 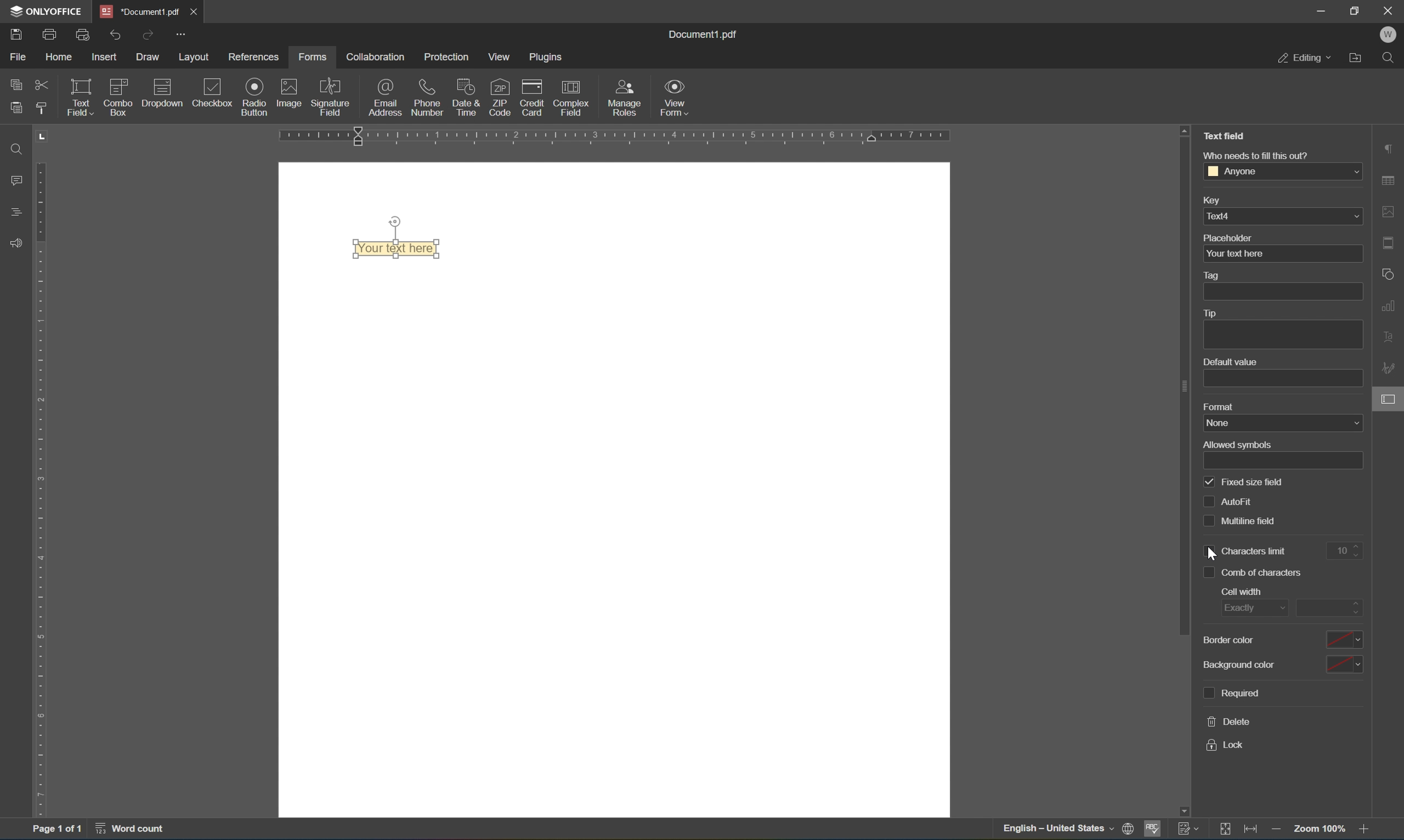 What do you see at coordinates (395, 248) in the screenshot?
I see `your text here` at bounding box center [395, 248].